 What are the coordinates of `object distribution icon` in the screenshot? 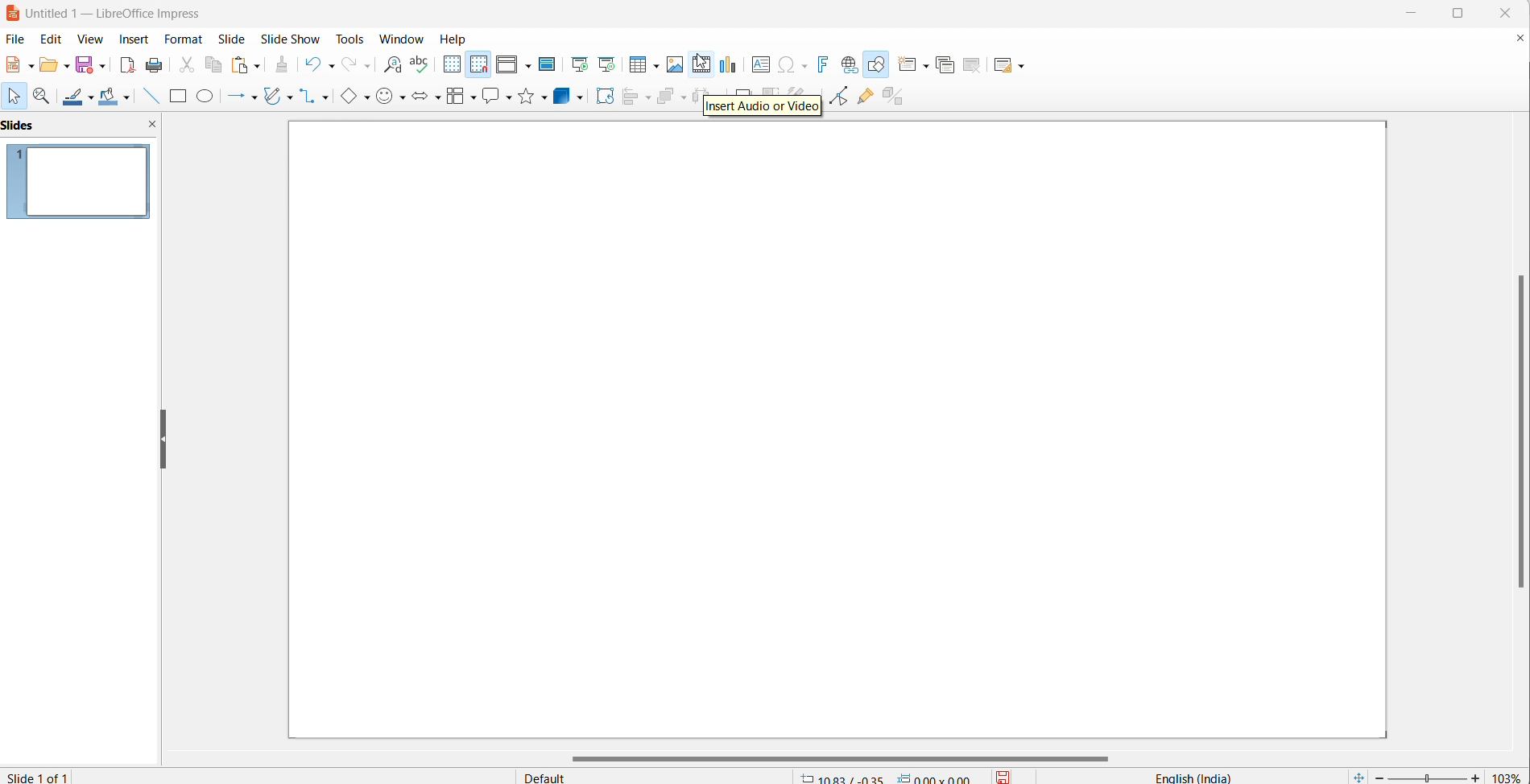 It's located at (706, 89).